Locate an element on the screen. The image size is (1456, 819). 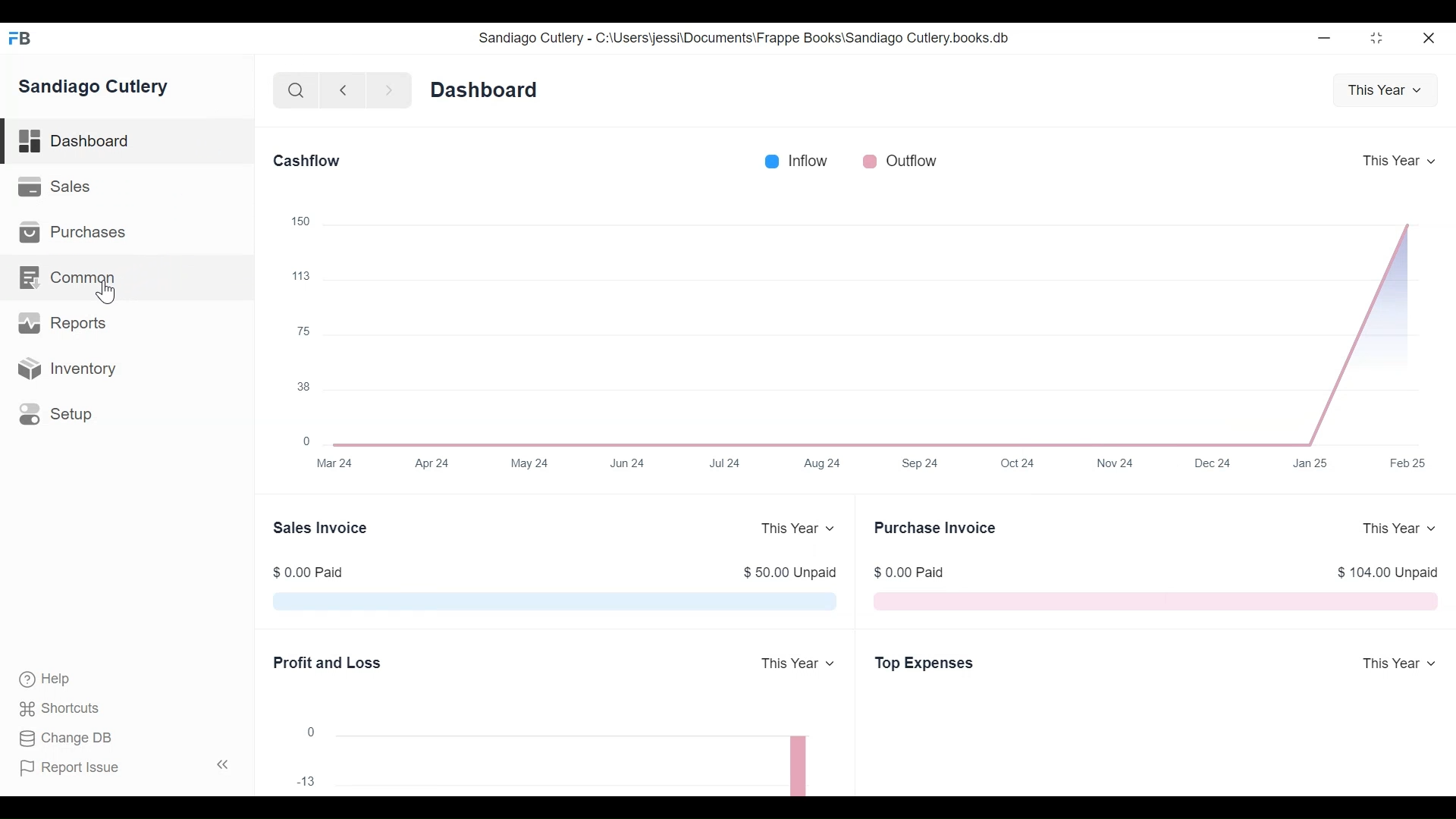
Inflow Color bar is located at coordinates (771, 160).